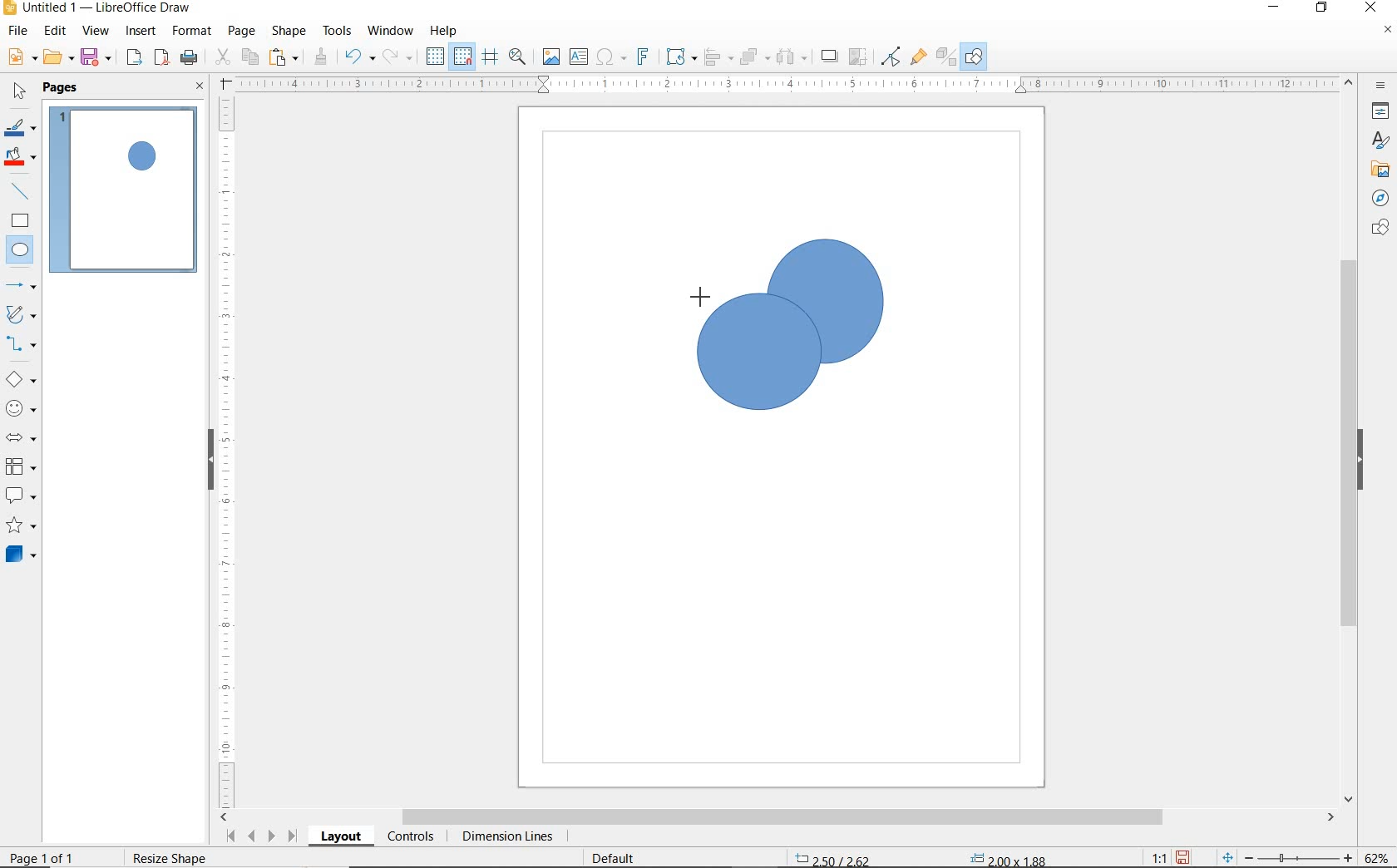 This screenshot has width=1397, height=868. What do you see at coordinates (517, 56) in the screenshot?
I see `ZOOM & PAN` at bounding box center [517, 56].